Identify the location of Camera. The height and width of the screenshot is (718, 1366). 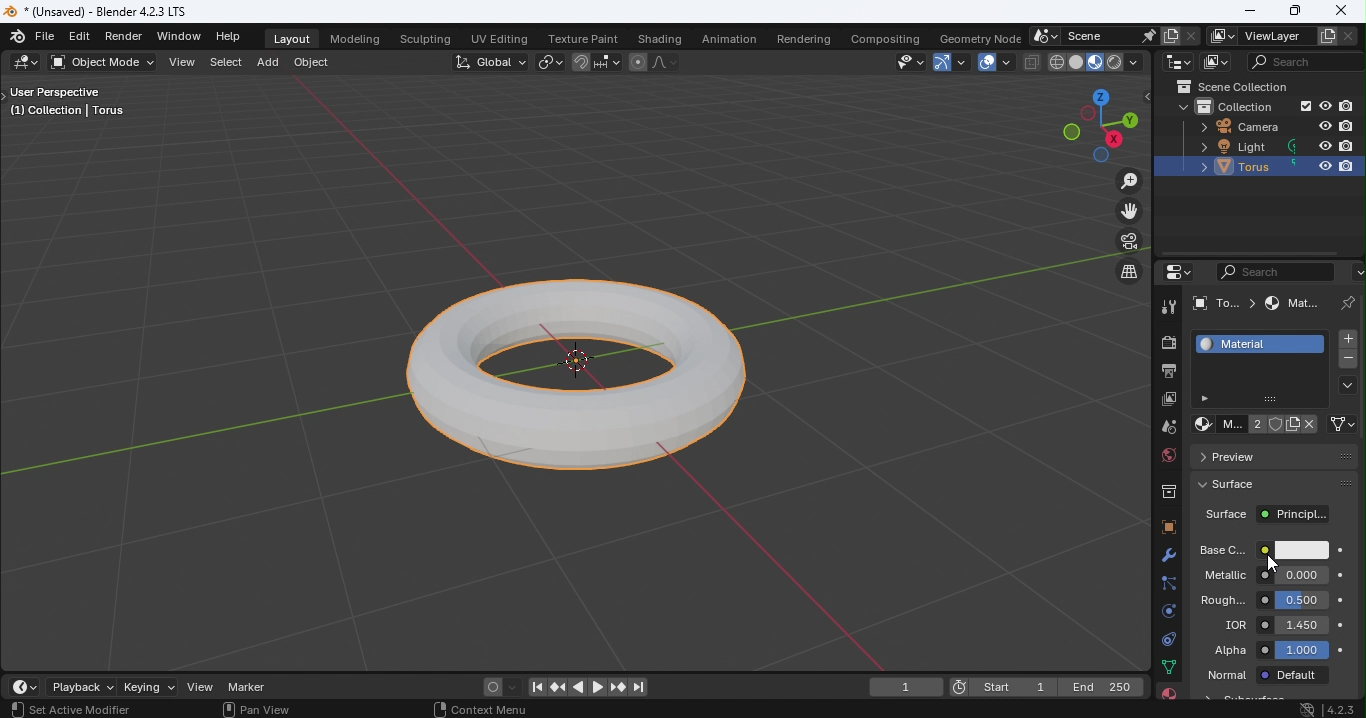
(1233, 126).